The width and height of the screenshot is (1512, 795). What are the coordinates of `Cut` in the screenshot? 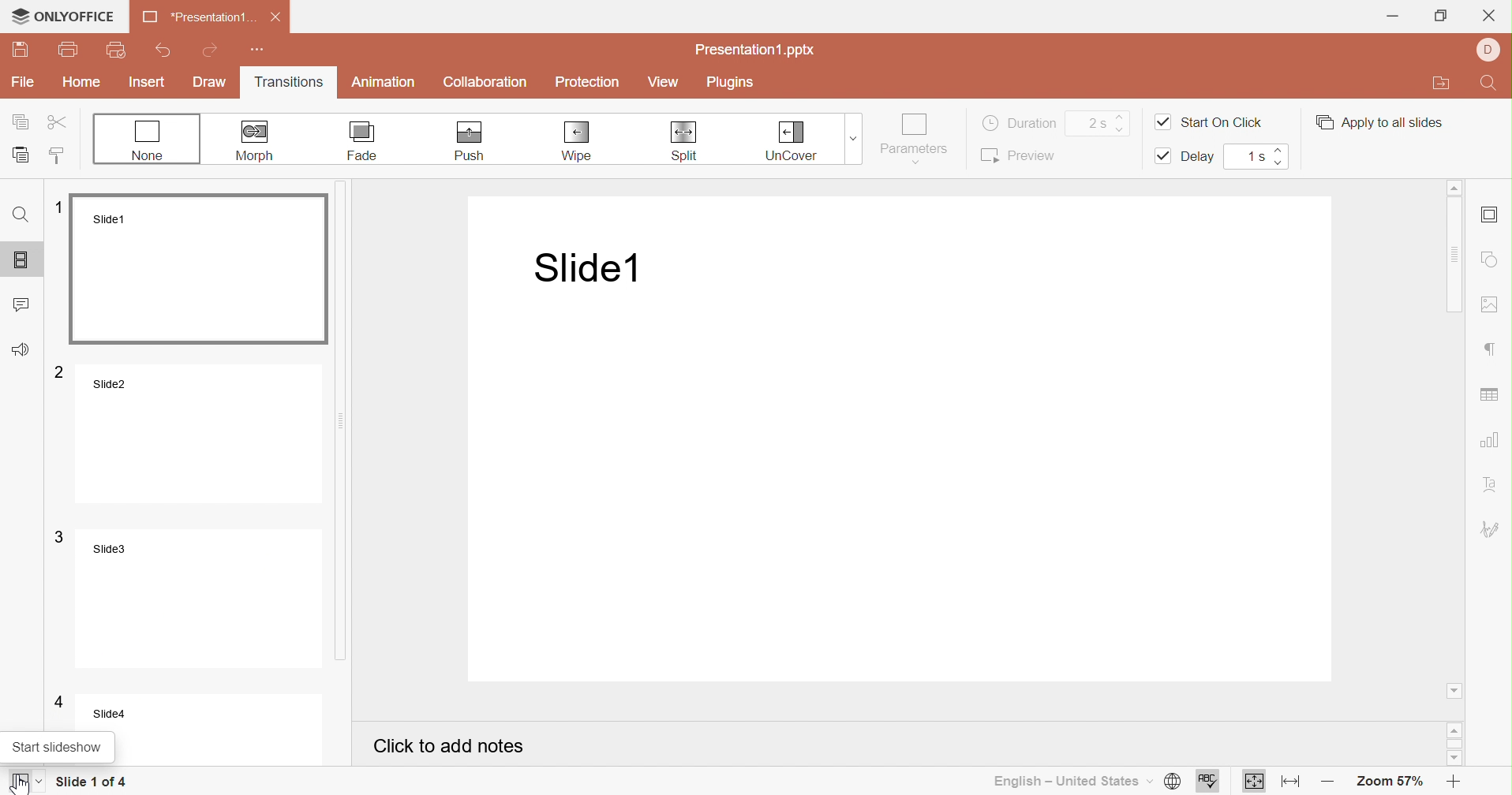 It's located at (58, 121).